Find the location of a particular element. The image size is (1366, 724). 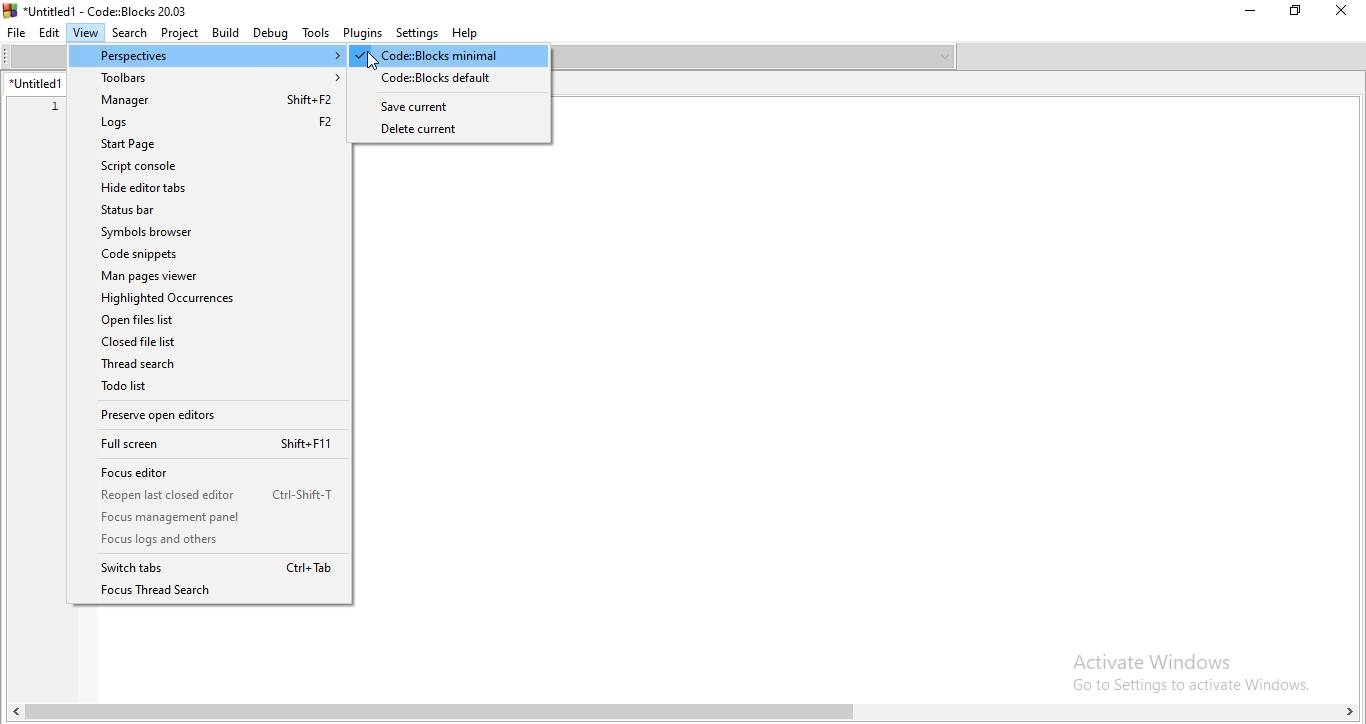

Logs  is located at coordinates (209, 122).